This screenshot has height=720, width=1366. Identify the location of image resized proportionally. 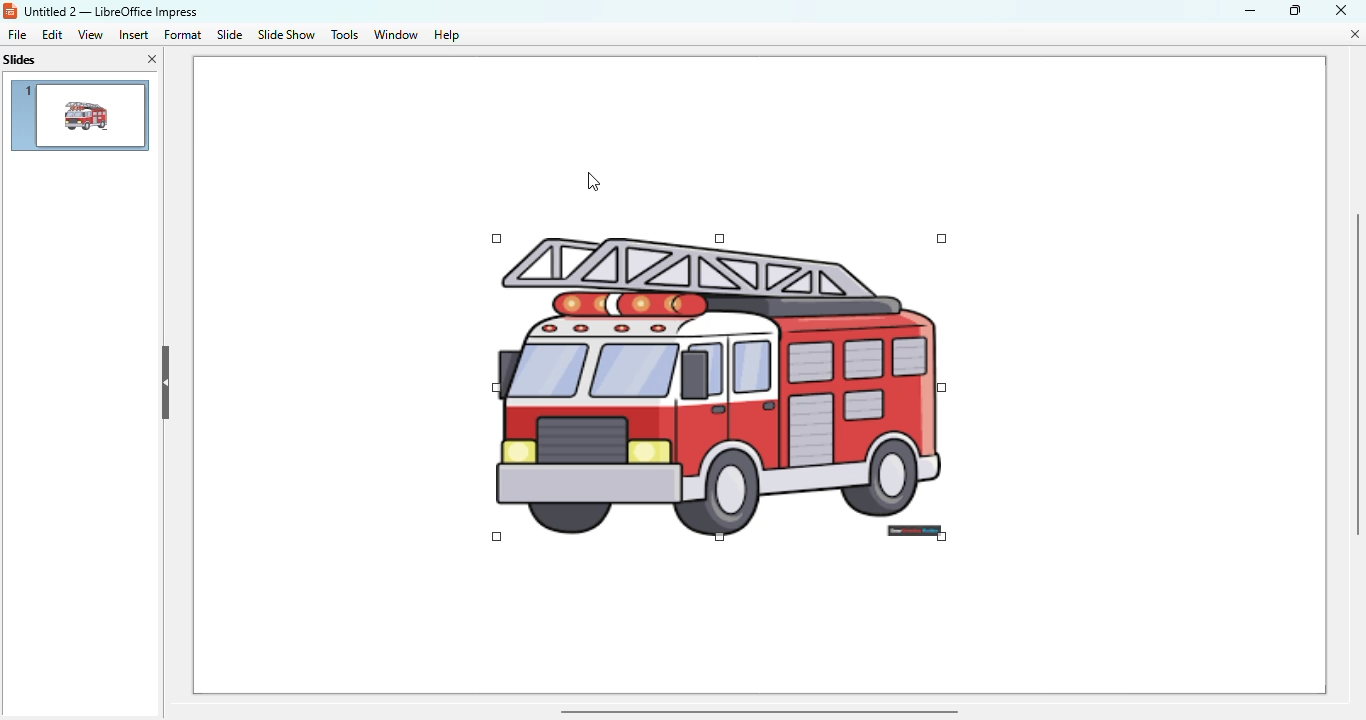
(718, 387).